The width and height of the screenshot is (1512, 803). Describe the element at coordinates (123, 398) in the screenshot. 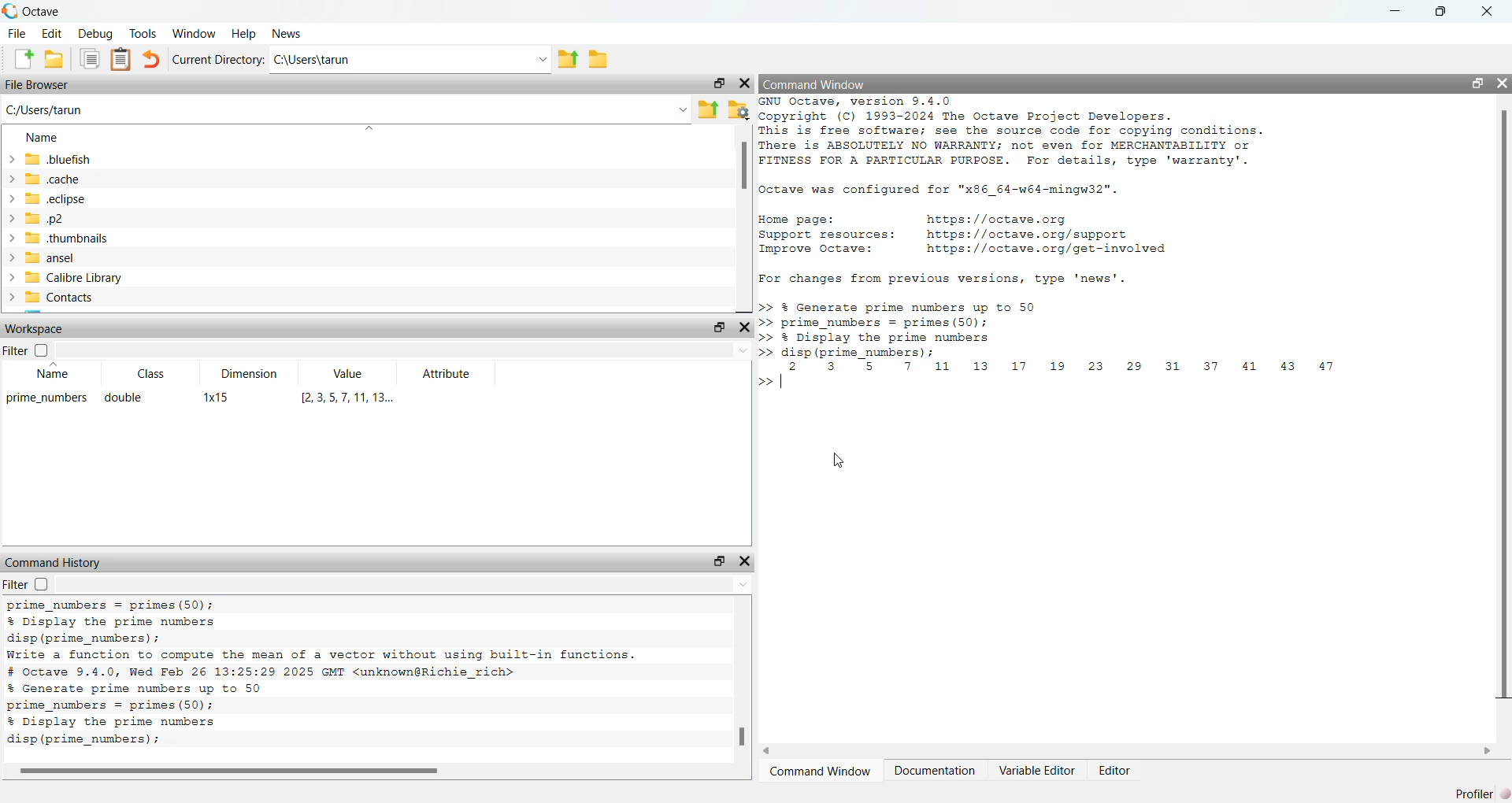

I see `double` at that location.